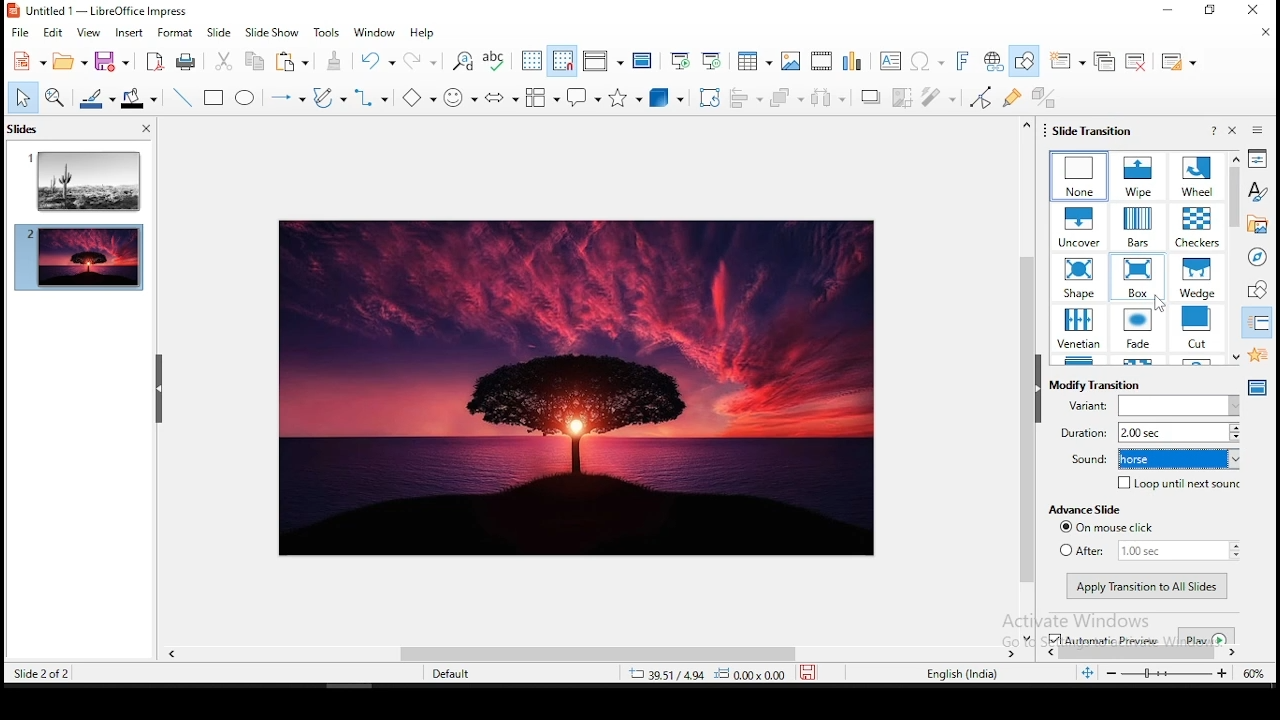 Image resolution: width=1280 pixels, height=720 pixels. What do you see at coordinates (459, 96) in the screenshot?
I see `symbol shapes` at bounding box center [459, 96].